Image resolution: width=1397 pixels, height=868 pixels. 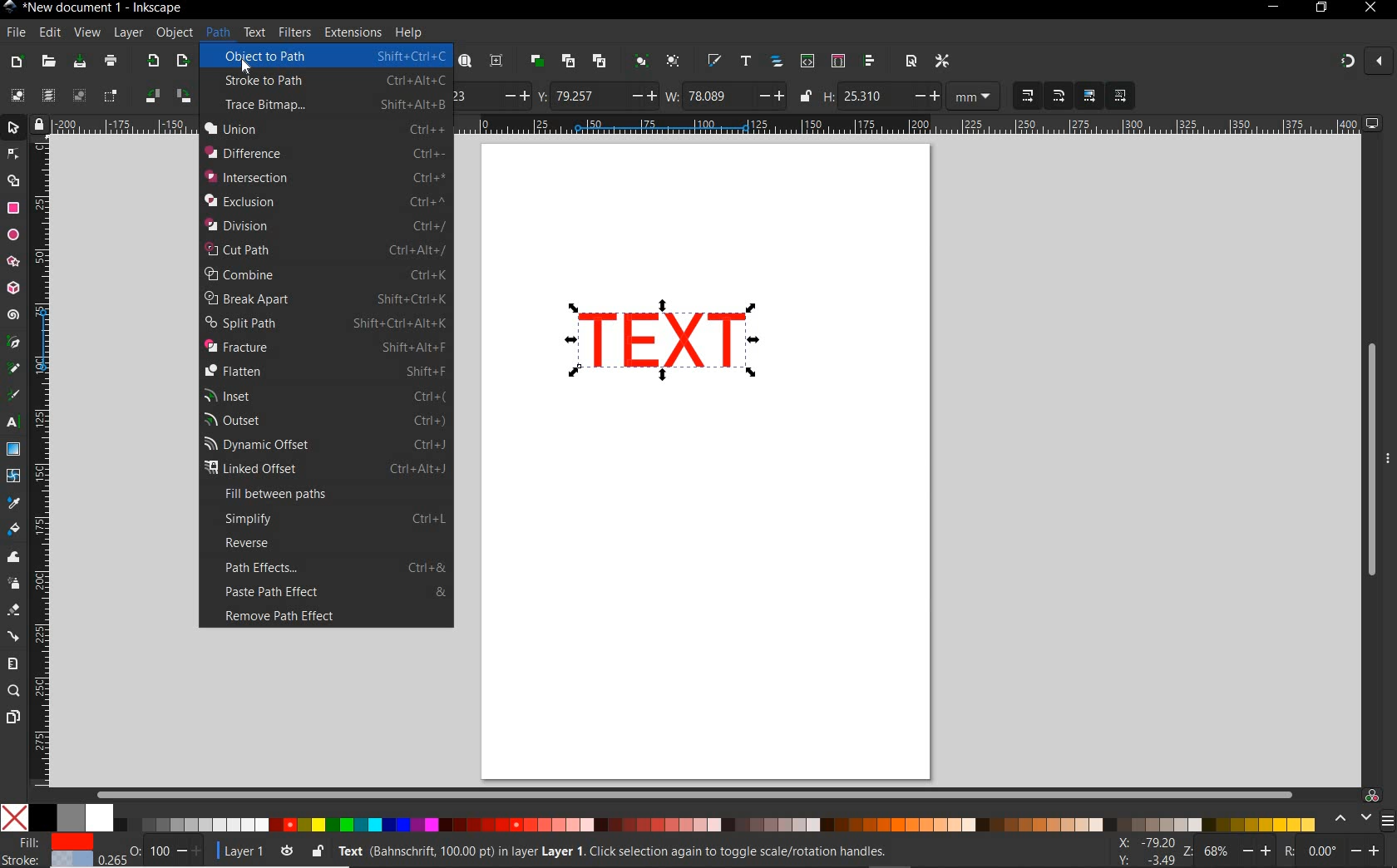 I want to click on MOVE GRADIENTS, so click(x=1089, y=96).